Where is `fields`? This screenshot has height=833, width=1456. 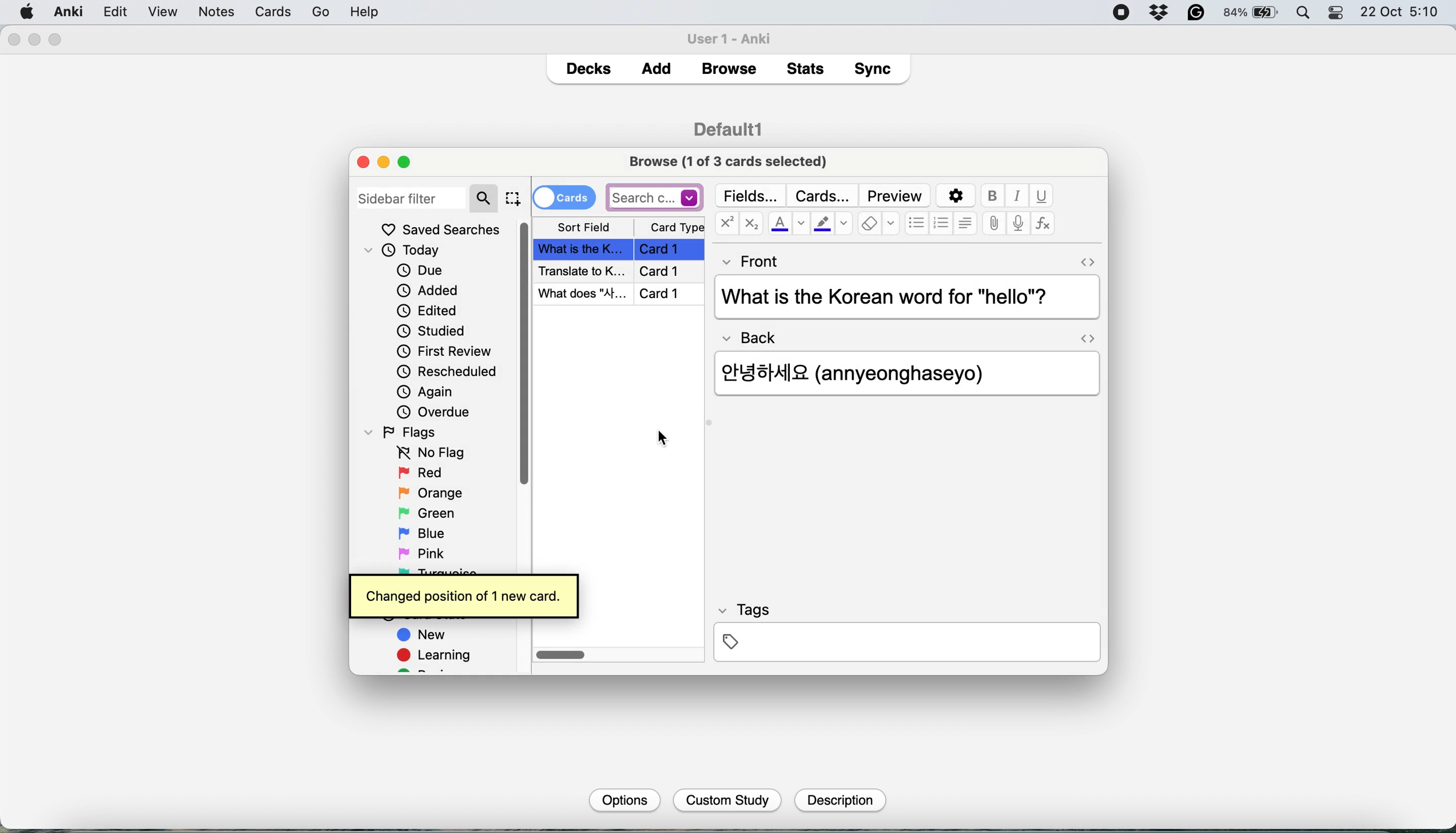 fields is located at coordinates (752, 196).